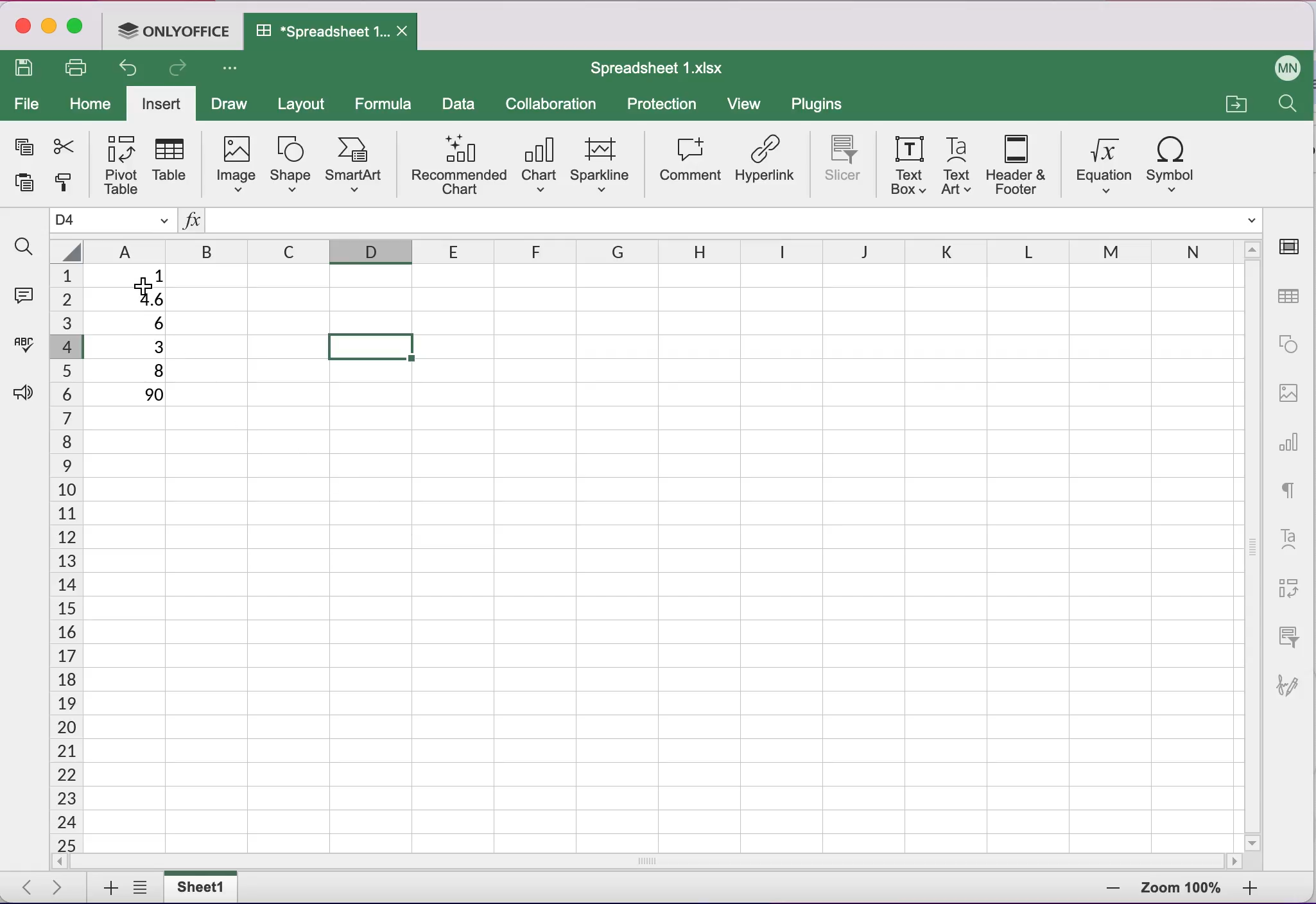 This screenshot has height=904, width=1316. Describe the element at coordinates (193, 220) in the screenshot. I see `Insert function` at that location.